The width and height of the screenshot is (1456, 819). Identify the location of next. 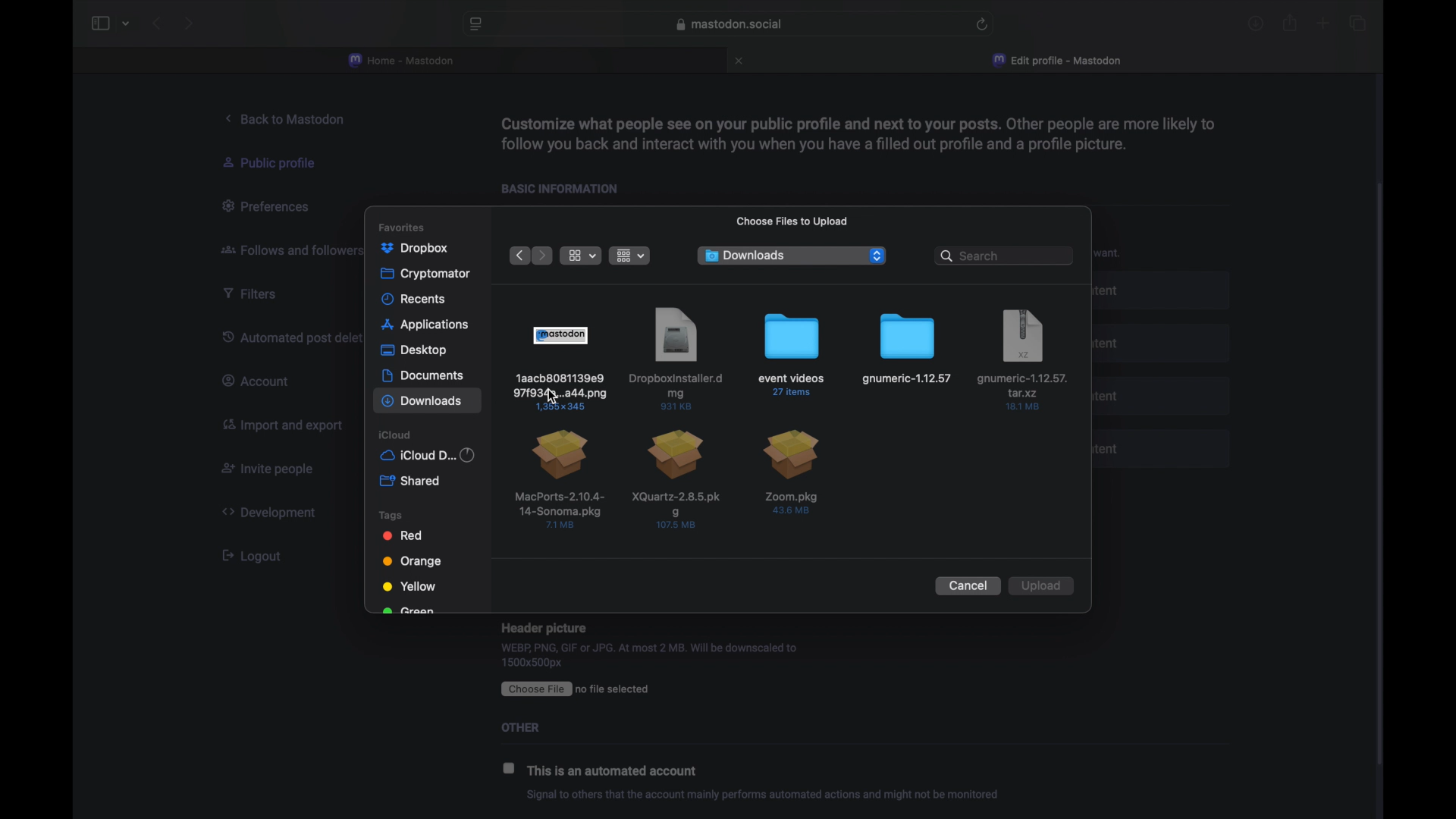
(188, 23).